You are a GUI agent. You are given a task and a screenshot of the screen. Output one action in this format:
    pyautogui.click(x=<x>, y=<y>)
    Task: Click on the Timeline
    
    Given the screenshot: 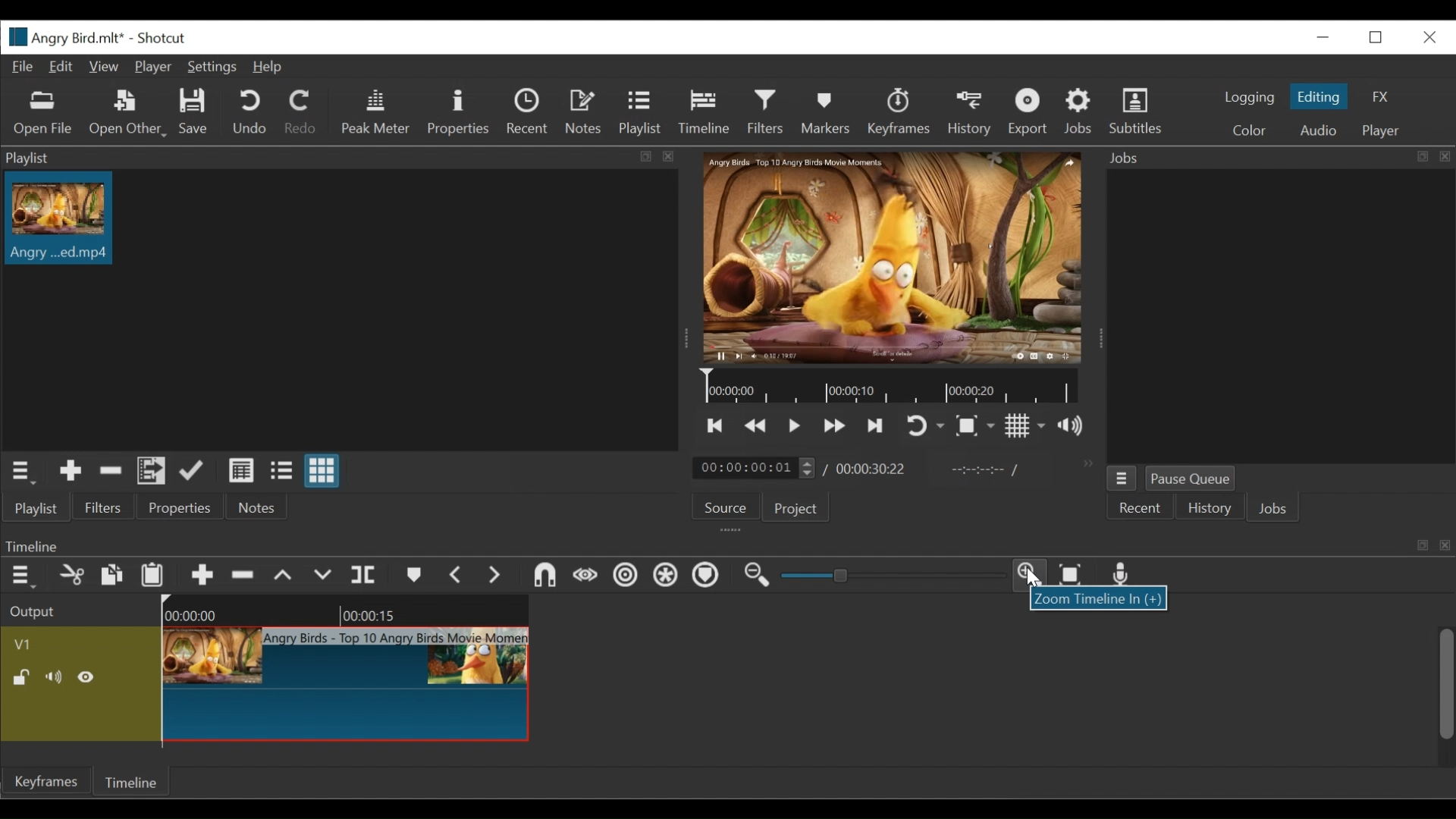 What is the action you would take?
    pyautogui.click(x=890, y=387)
    